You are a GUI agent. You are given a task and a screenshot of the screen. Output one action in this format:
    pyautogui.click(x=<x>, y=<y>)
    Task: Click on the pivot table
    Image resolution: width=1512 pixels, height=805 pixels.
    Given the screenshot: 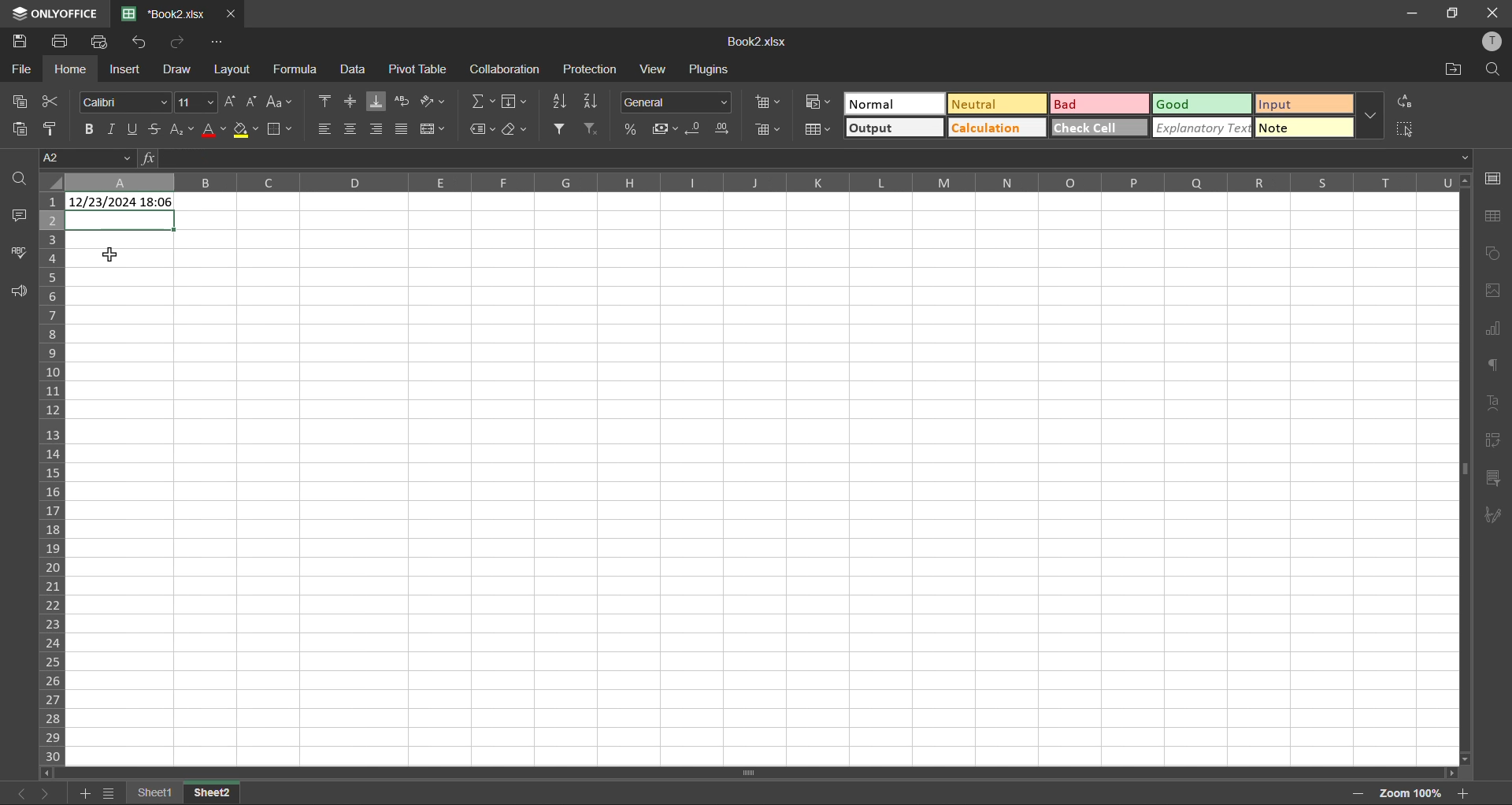 What is the action you would take?
    pyautogui.click(x=421, y=69)
    